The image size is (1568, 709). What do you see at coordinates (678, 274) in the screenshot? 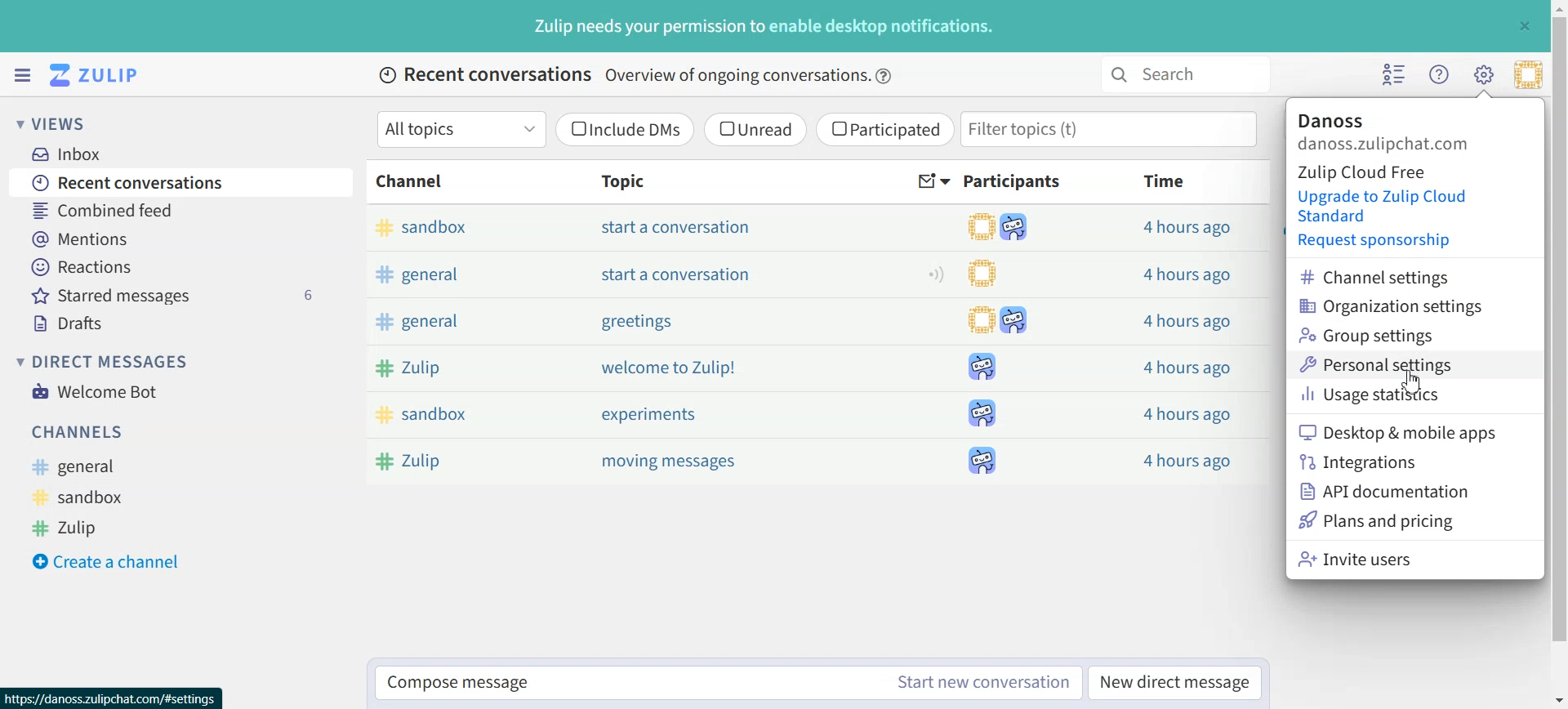
I see `Start a conversation` at bounding box center [678, 274].